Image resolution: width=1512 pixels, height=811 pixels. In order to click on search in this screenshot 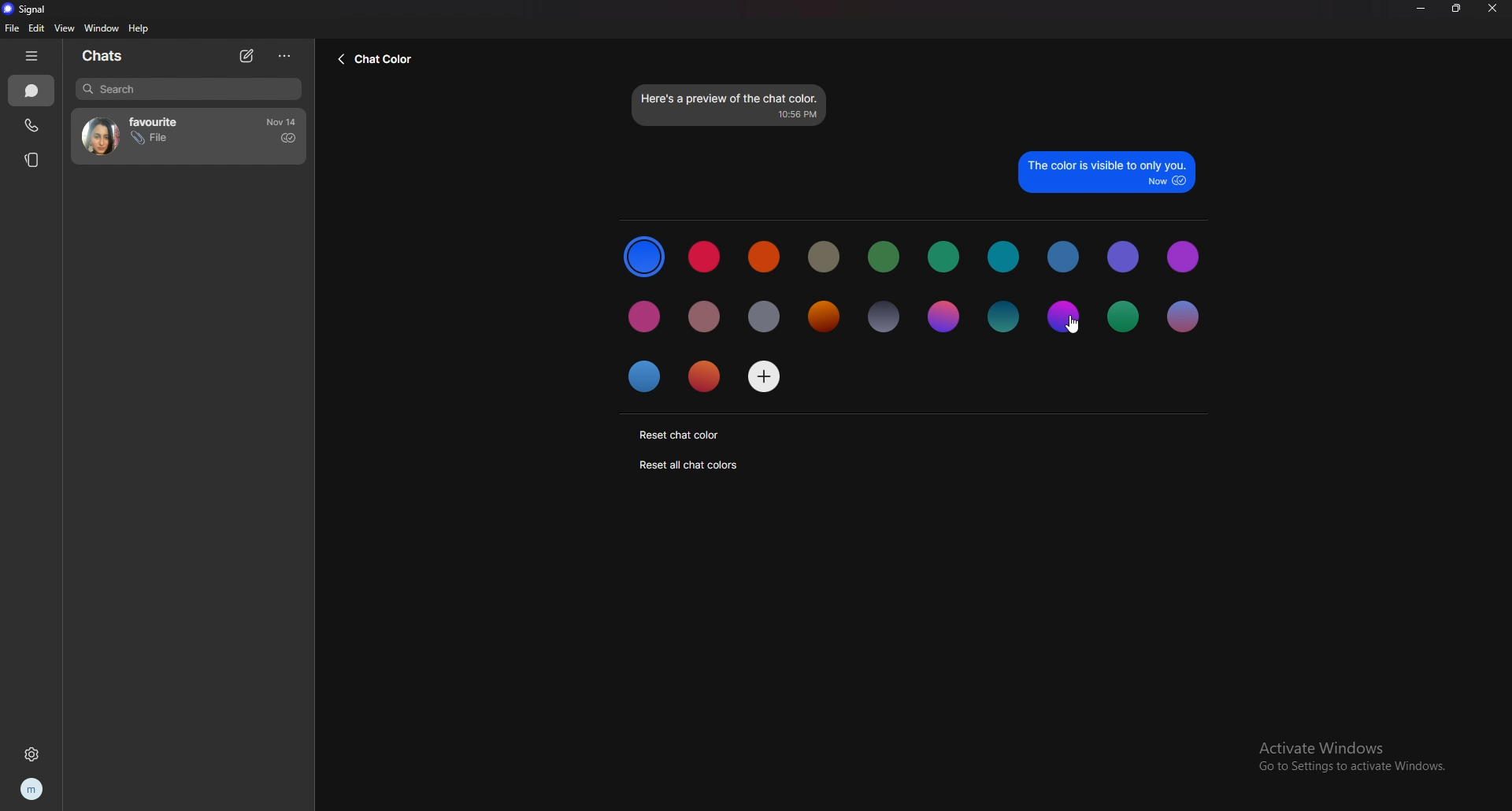, I will do `click(188, 90)`.